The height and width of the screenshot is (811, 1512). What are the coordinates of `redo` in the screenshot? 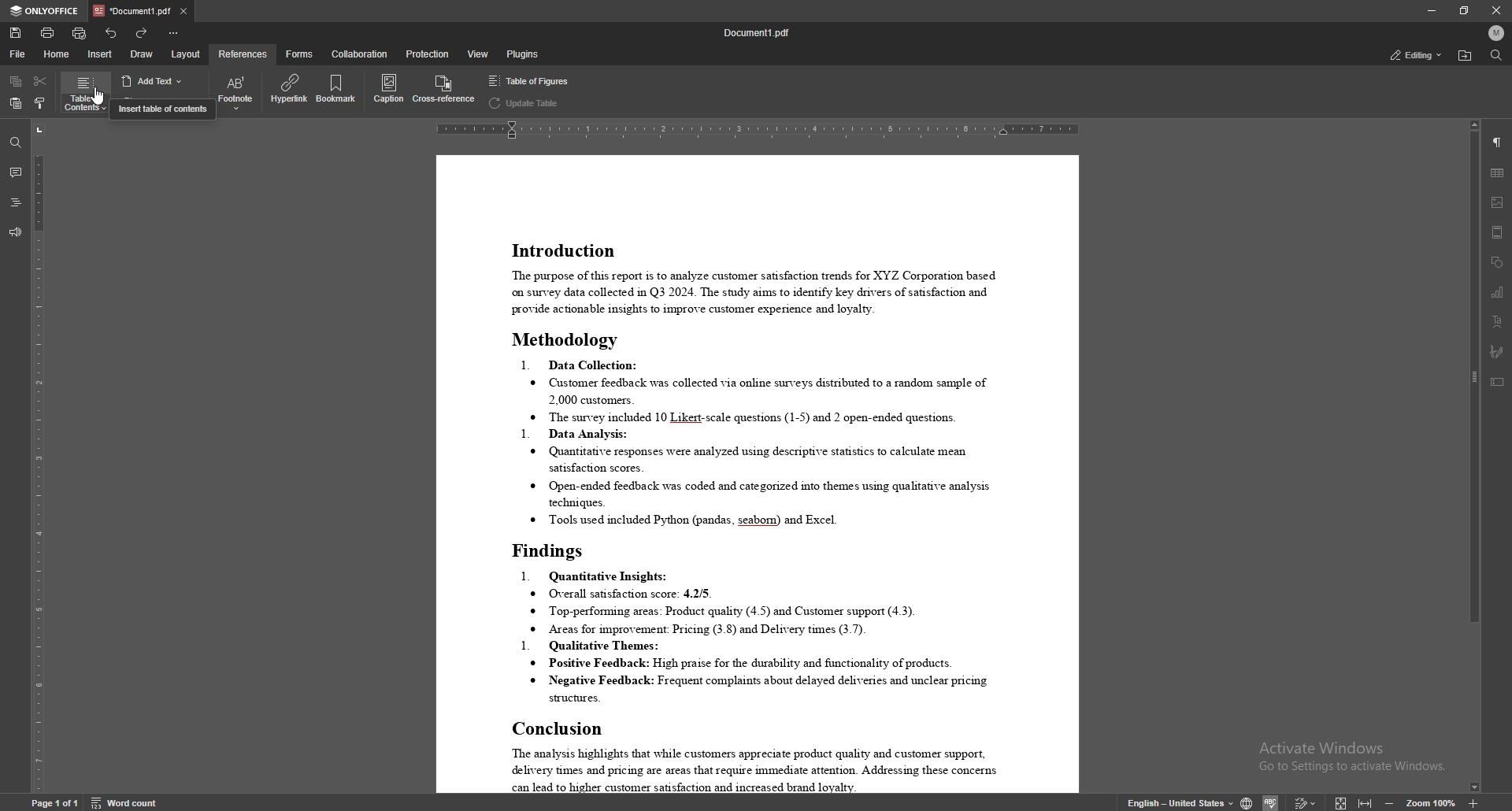 It's located at (144, 33).